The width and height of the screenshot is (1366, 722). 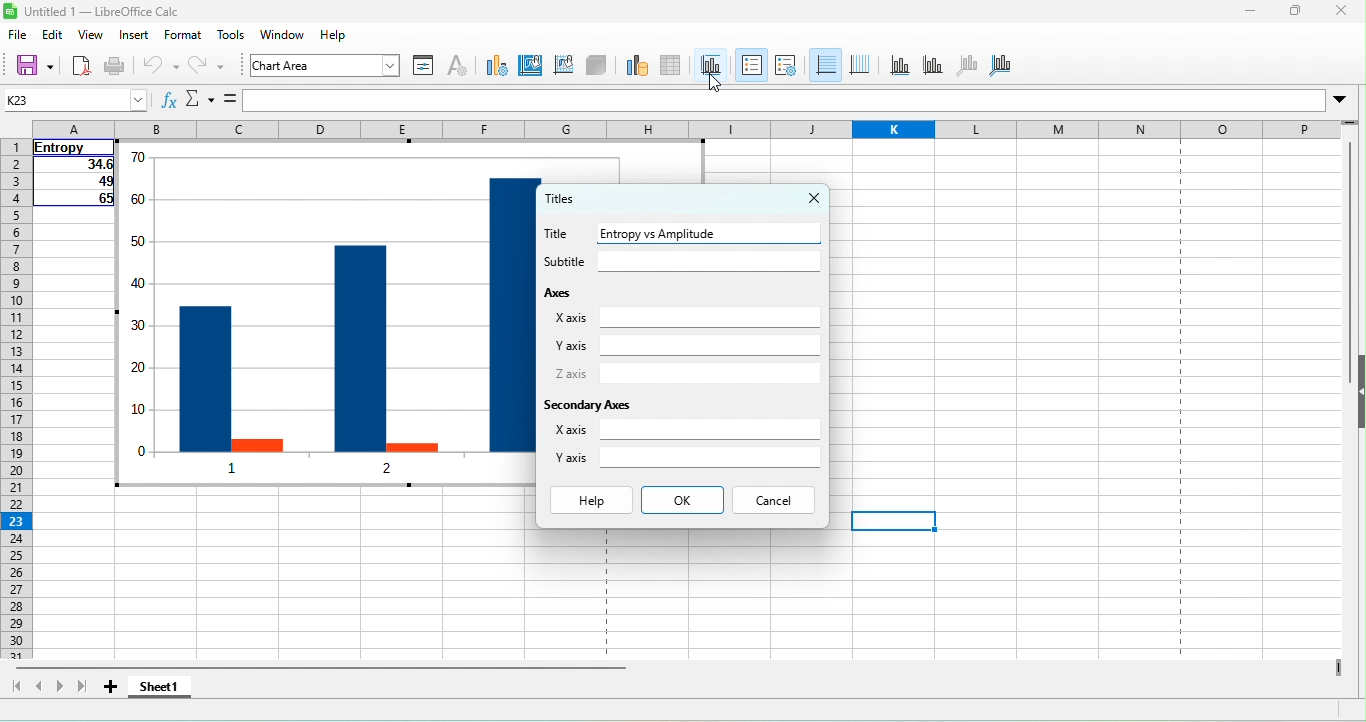 I want to click on drag to view rows, so click(x=1350, y=120).